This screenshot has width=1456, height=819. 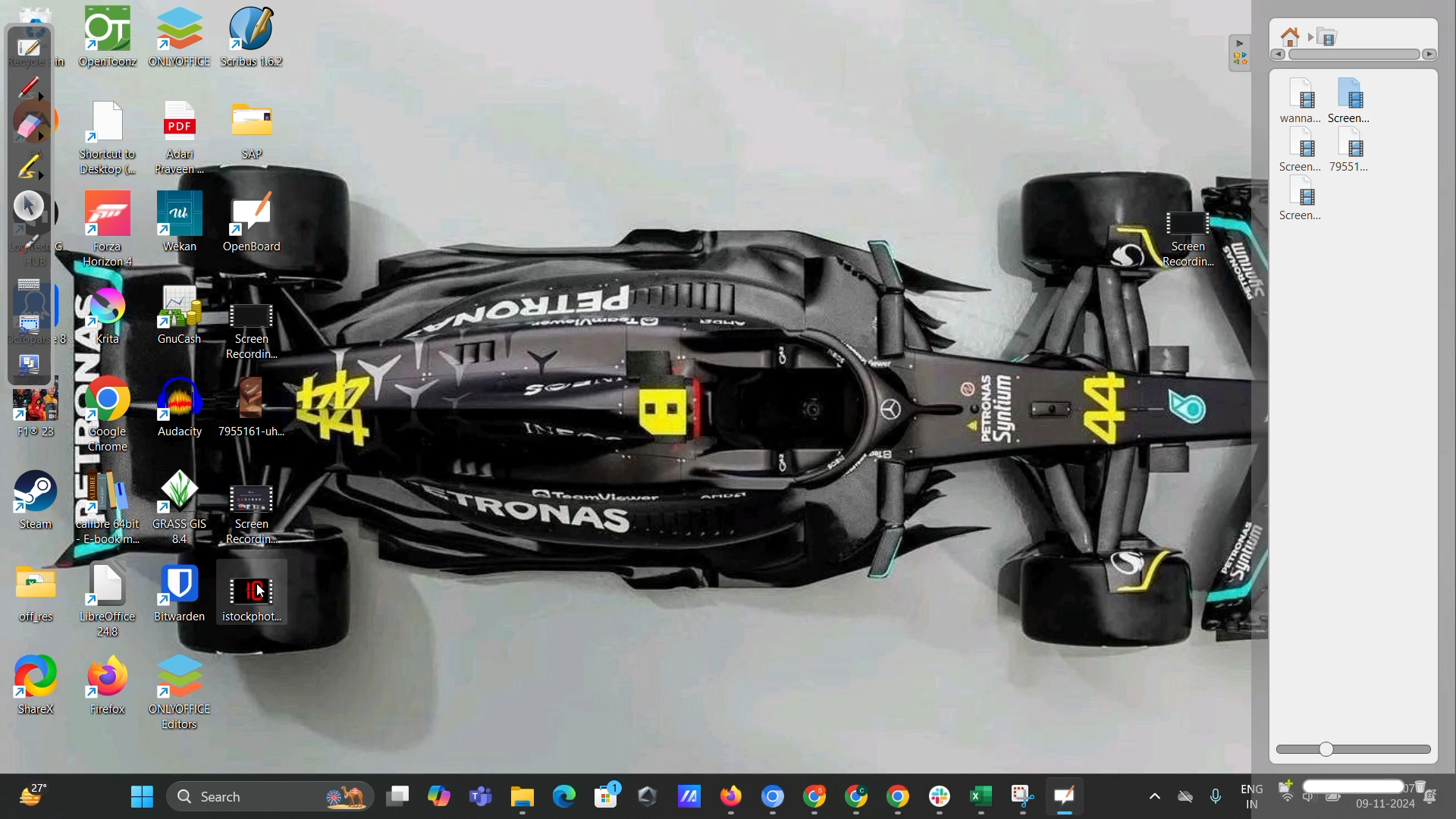 What do you see at coordinates (27, 206) in the screenshot?
I see `select and modify objects` at bounding box center [27, 206].